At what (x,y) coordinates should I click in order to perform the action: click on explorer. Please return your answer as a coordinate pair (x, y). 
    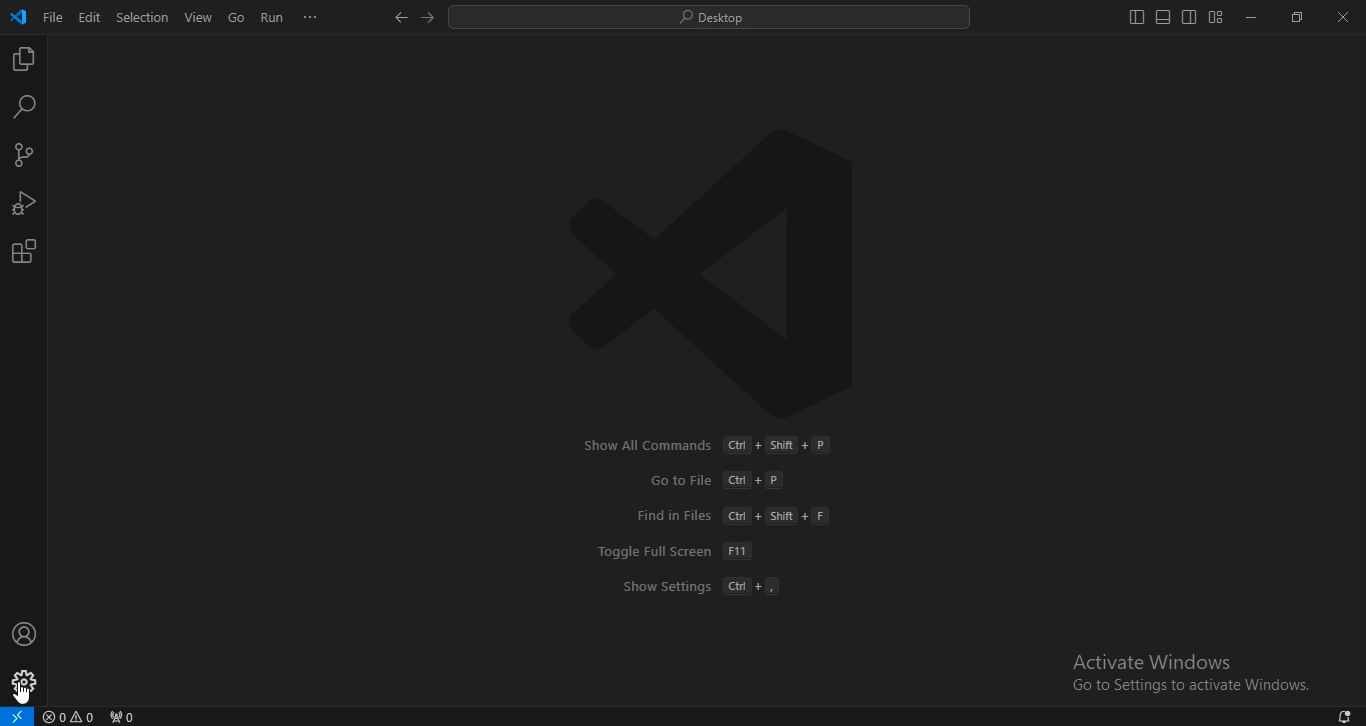
    Looking at the image, I should click on (24, 61).